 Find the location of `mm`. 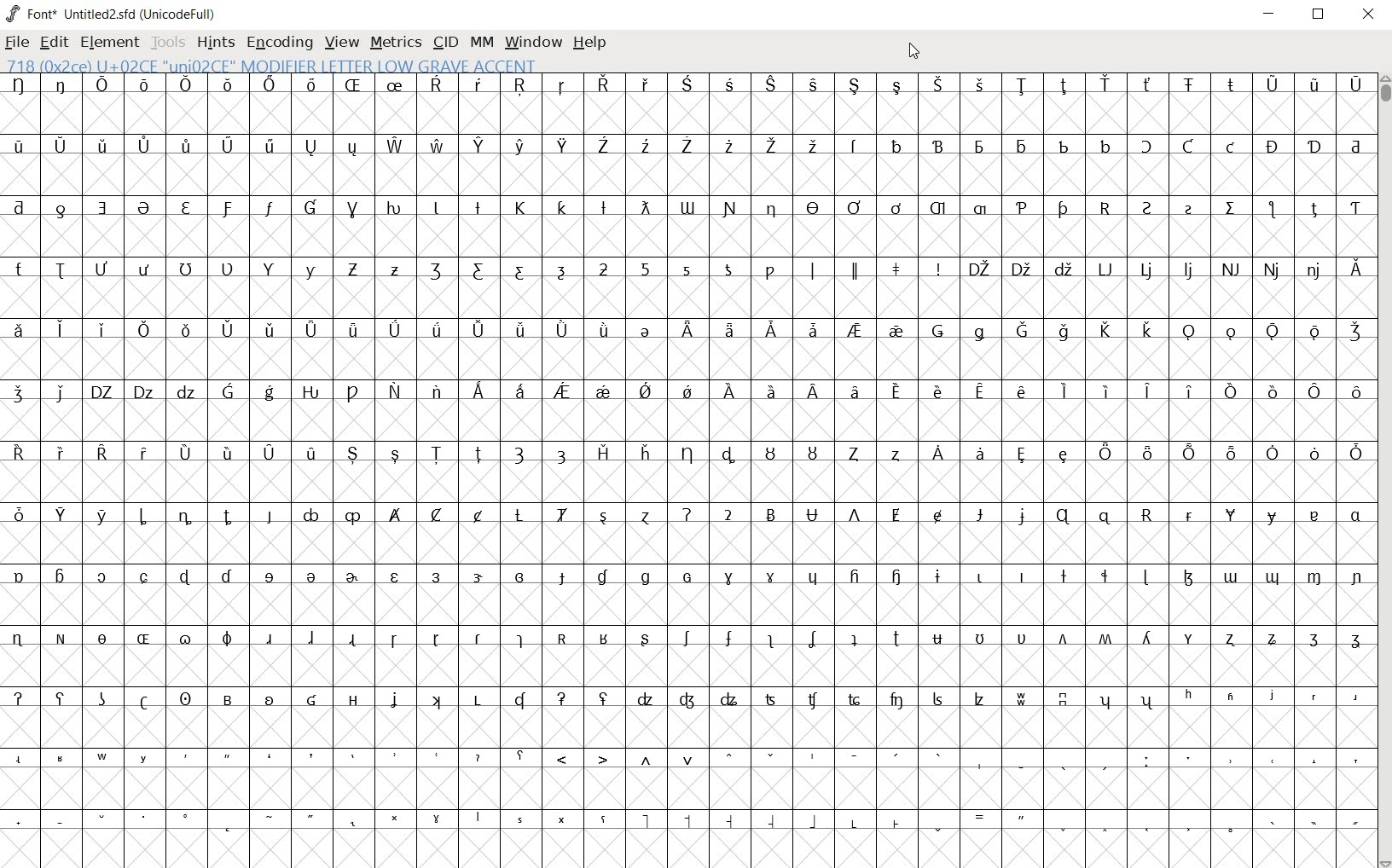

mm is located at coordinates (480, 40).